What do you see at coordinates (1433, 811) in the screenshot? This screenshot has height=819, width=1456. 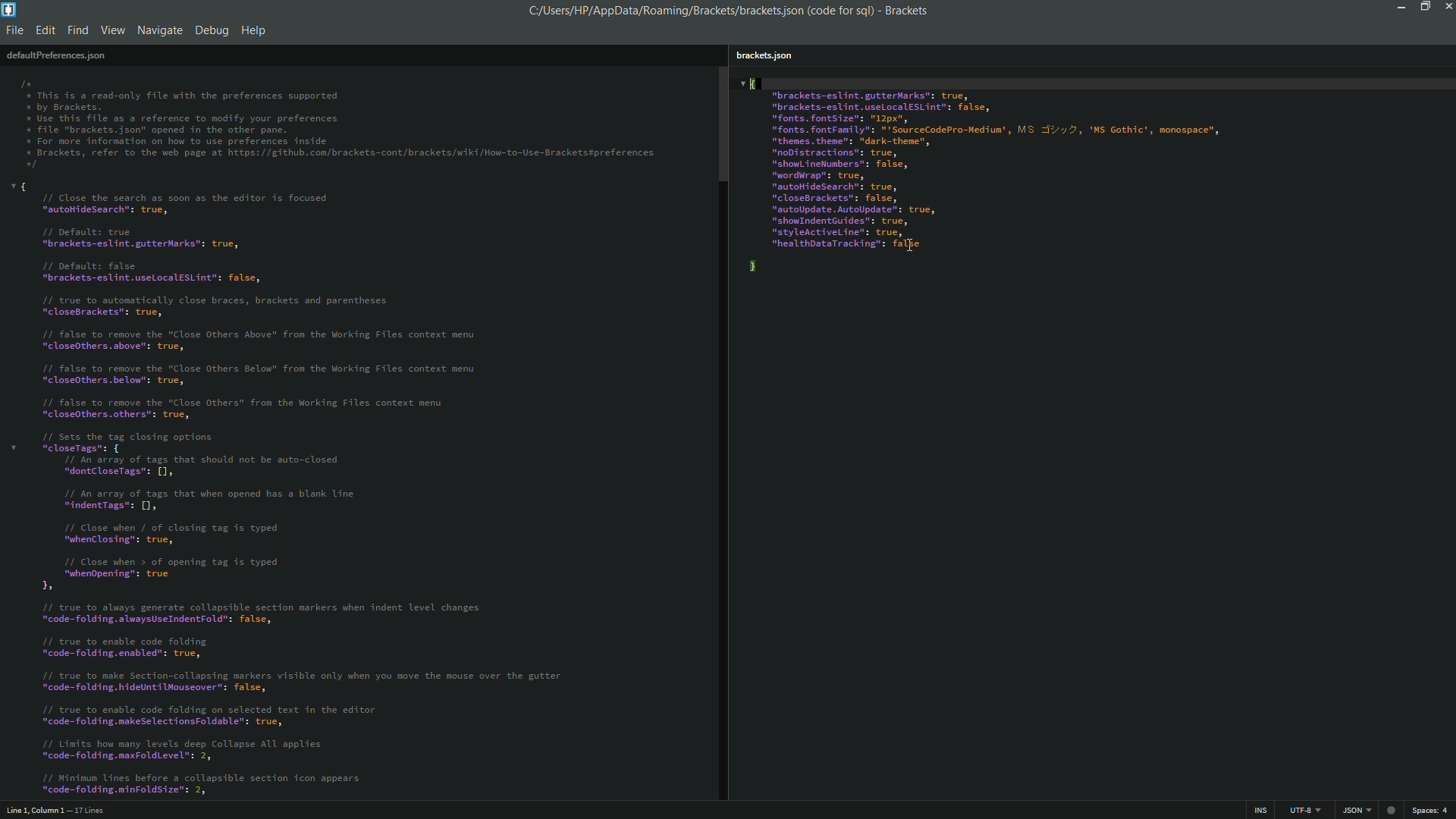 I see `Space` at bounding box center [1433, 811].